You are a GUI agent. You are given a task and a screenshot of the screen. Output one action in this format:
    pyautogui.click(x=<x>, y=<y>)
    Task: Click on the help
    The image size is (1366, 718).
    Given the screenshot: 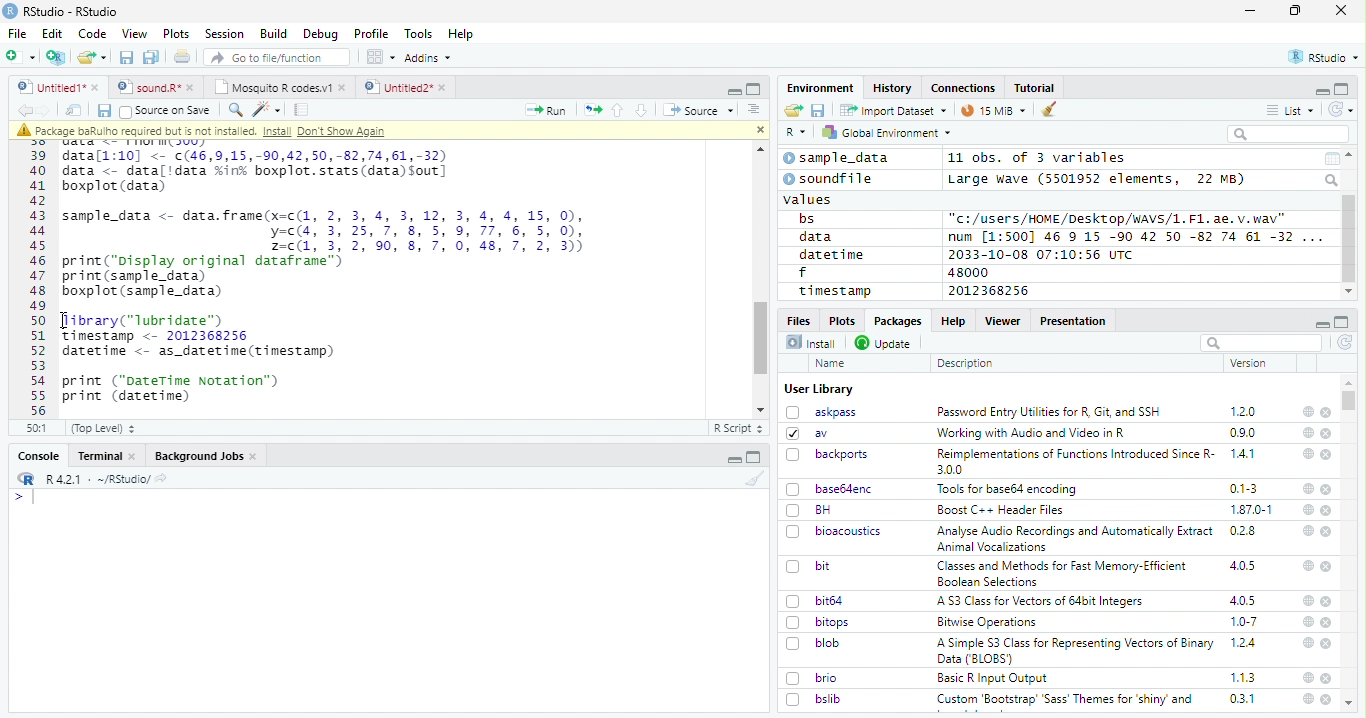 What is the action you would take?
    pyautogui.click(x=1307, y=565)
    